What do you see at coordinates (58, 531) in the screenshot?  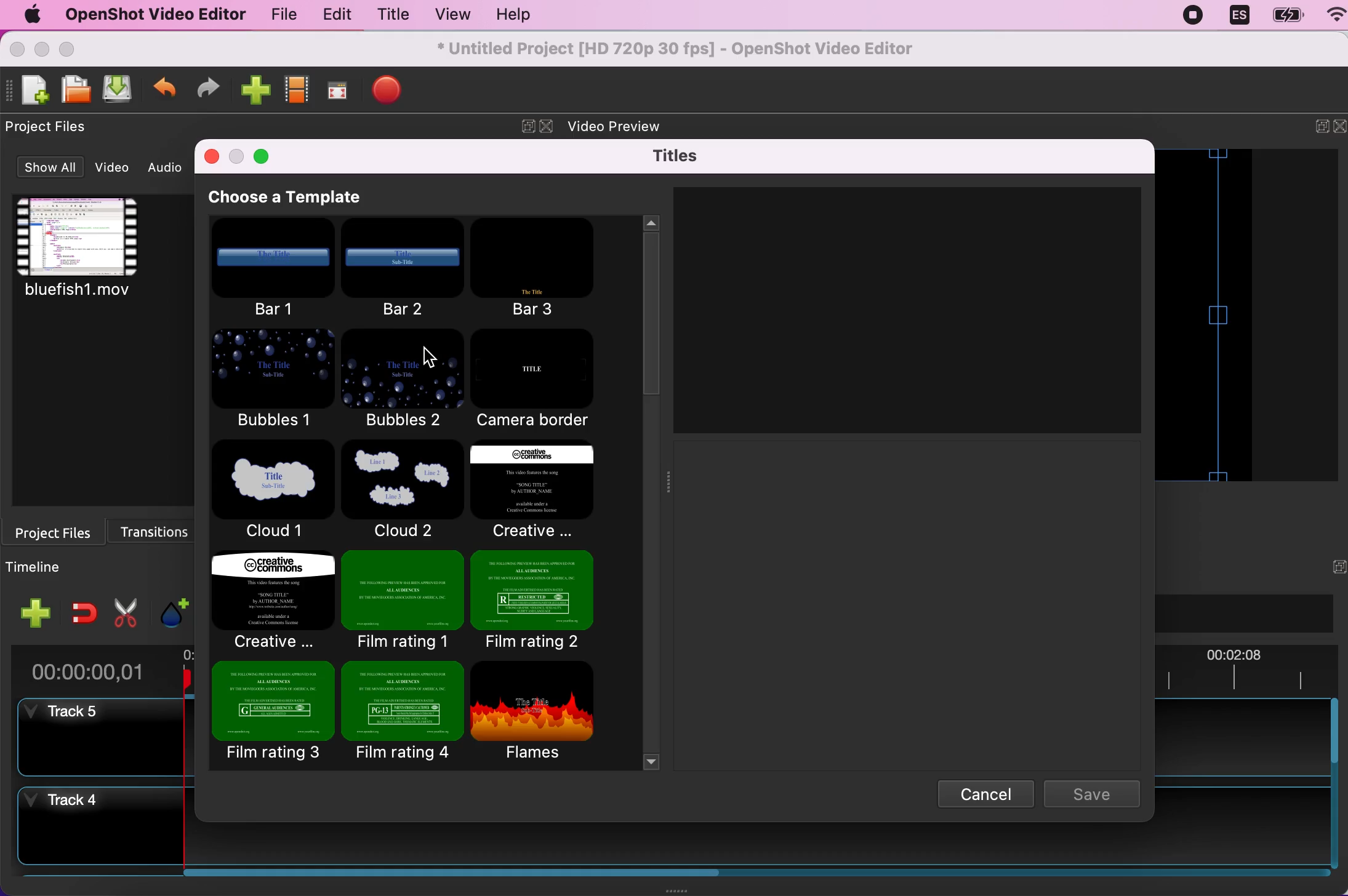 I see `project files` at bounding box center [58, 531].